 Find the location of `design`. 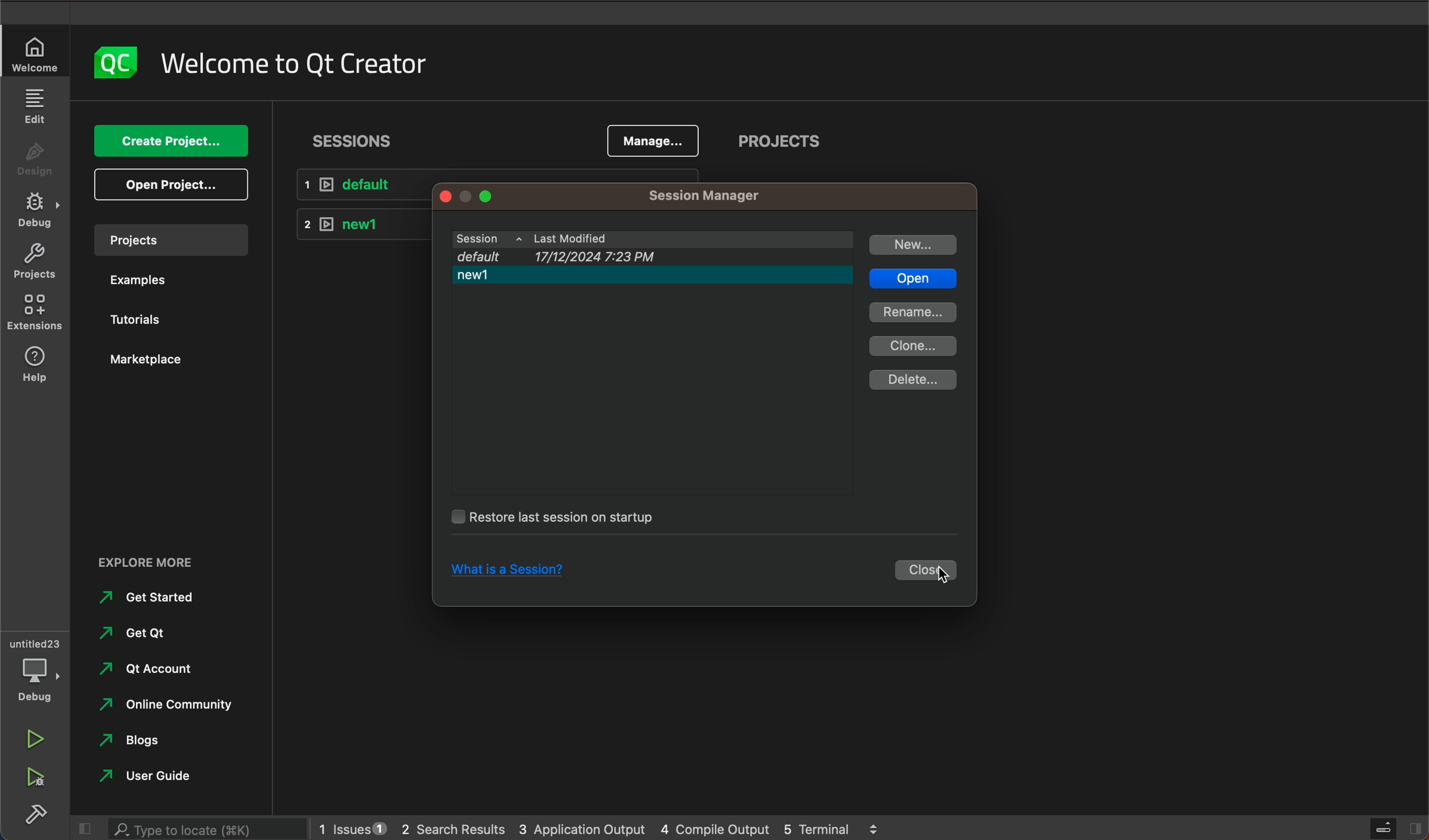

design is located at coordinates (36, 163).